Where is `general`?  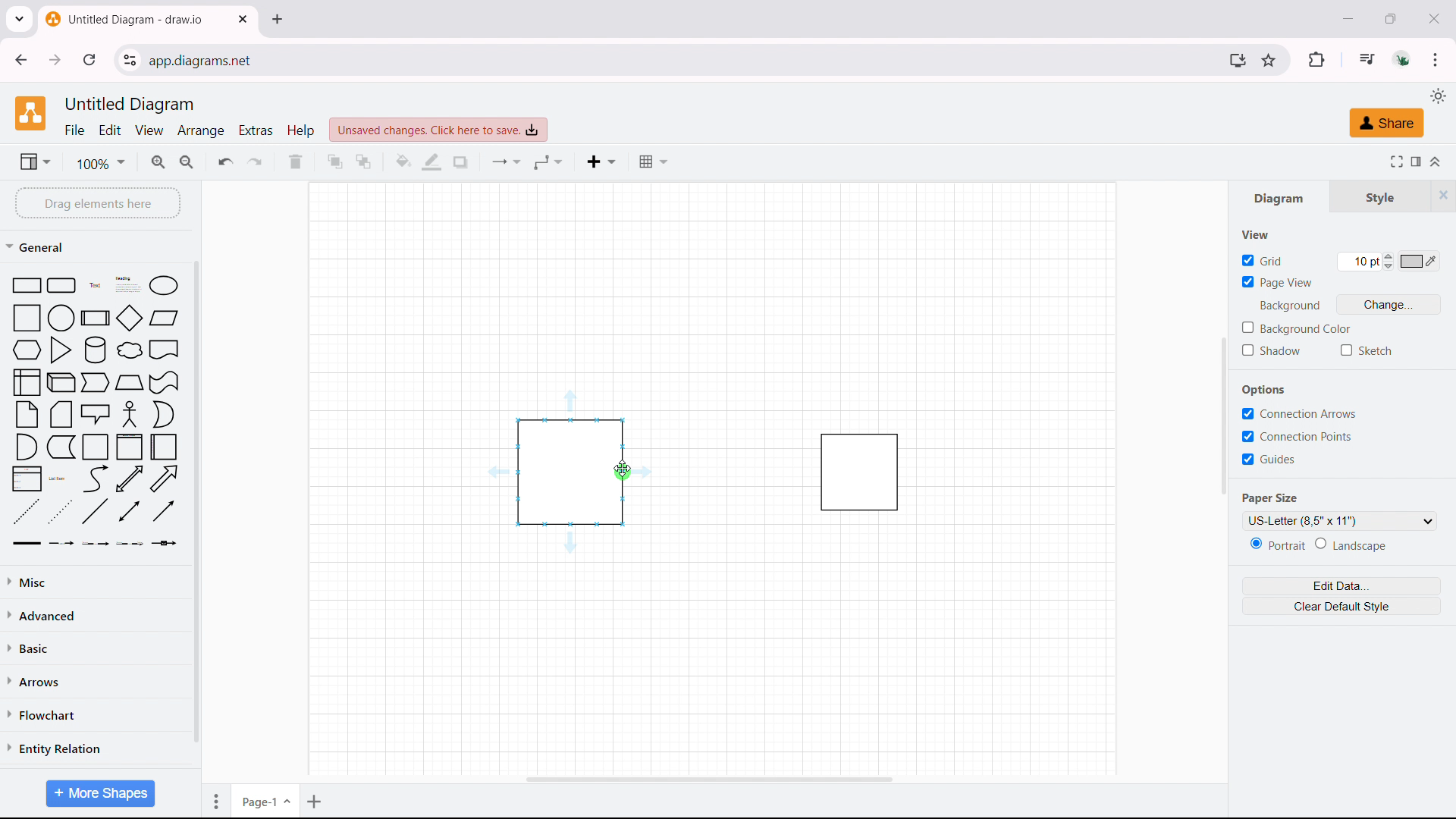
general is located at coordinates (39, 246).